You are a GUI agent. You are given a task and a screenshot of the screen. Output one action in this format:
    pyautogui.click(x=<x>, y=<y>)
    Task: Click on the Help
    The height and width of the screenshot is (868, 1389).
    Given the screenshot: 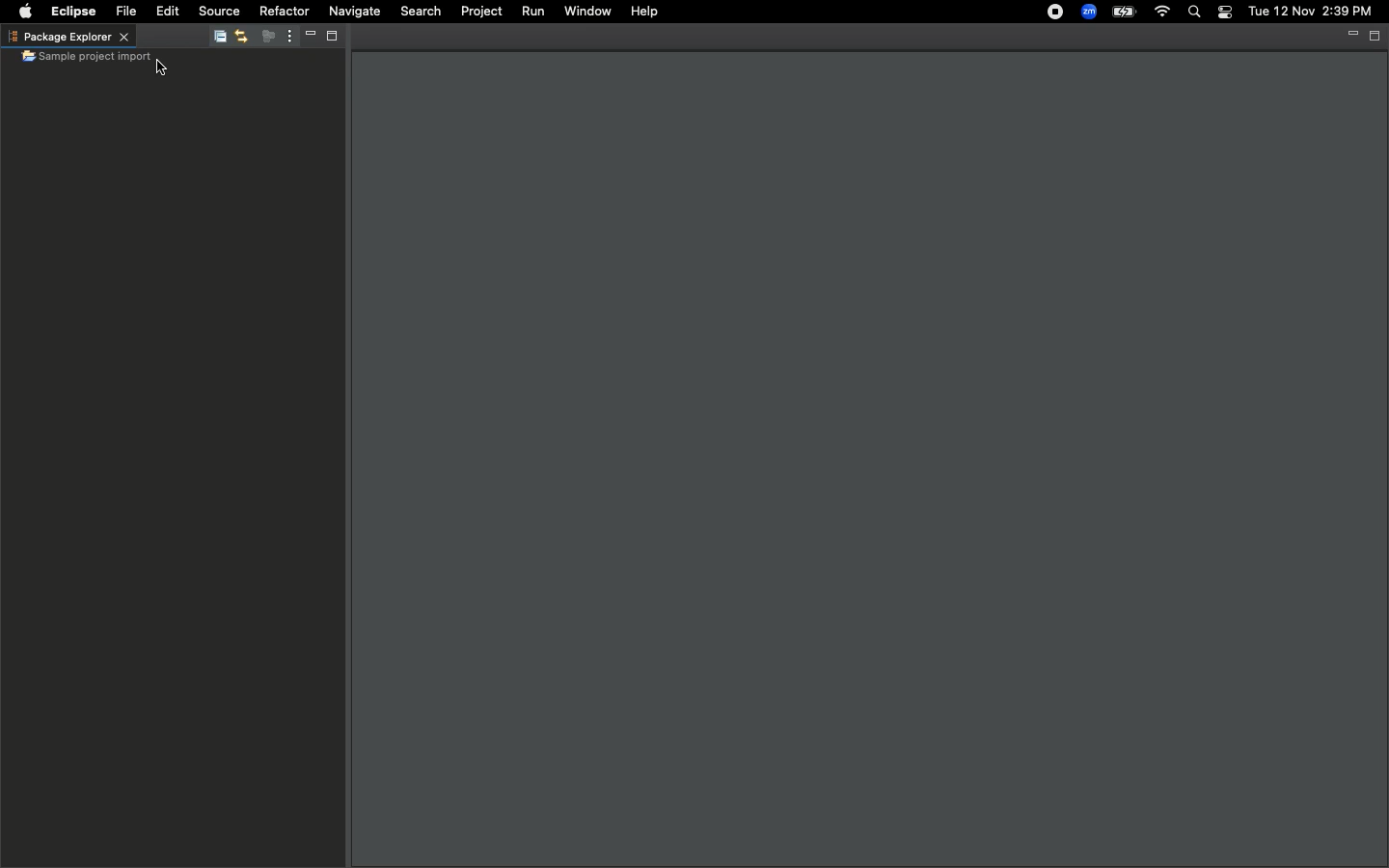 What is the action you would take?
    pyautogui.click(x=644, y=12)
    